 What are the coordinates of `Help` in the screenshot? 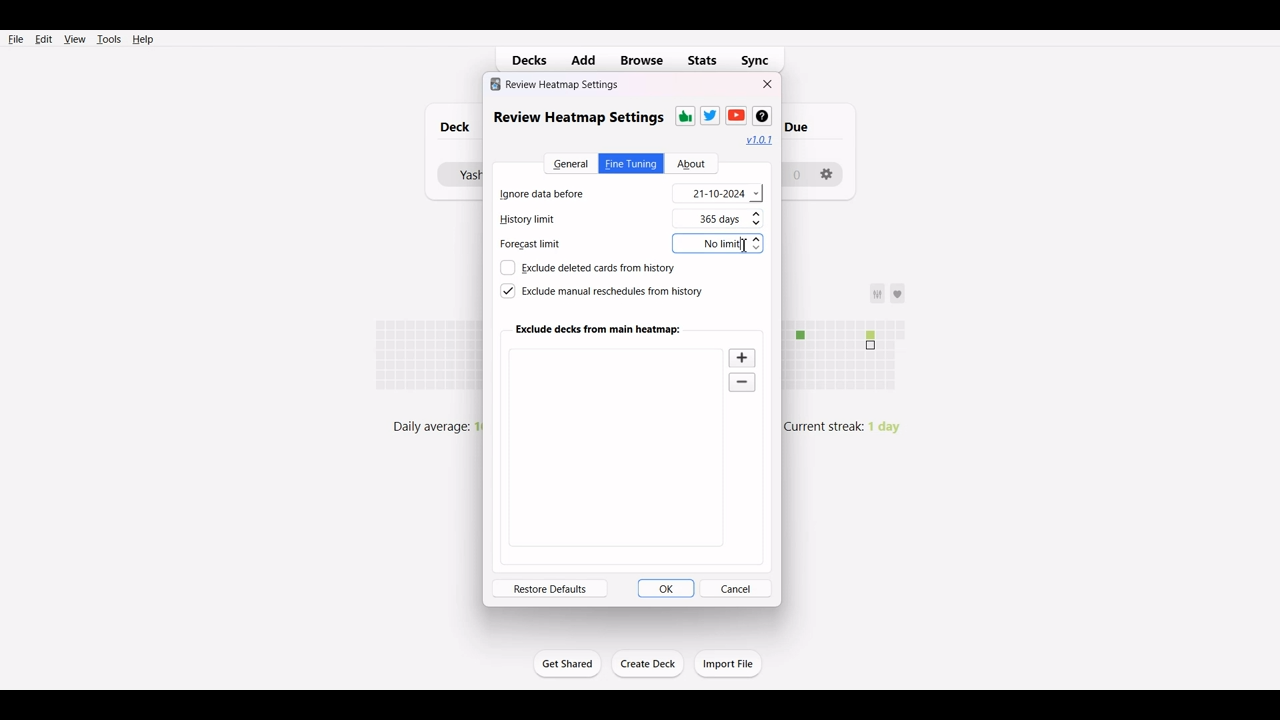 It's located at (142, 39).